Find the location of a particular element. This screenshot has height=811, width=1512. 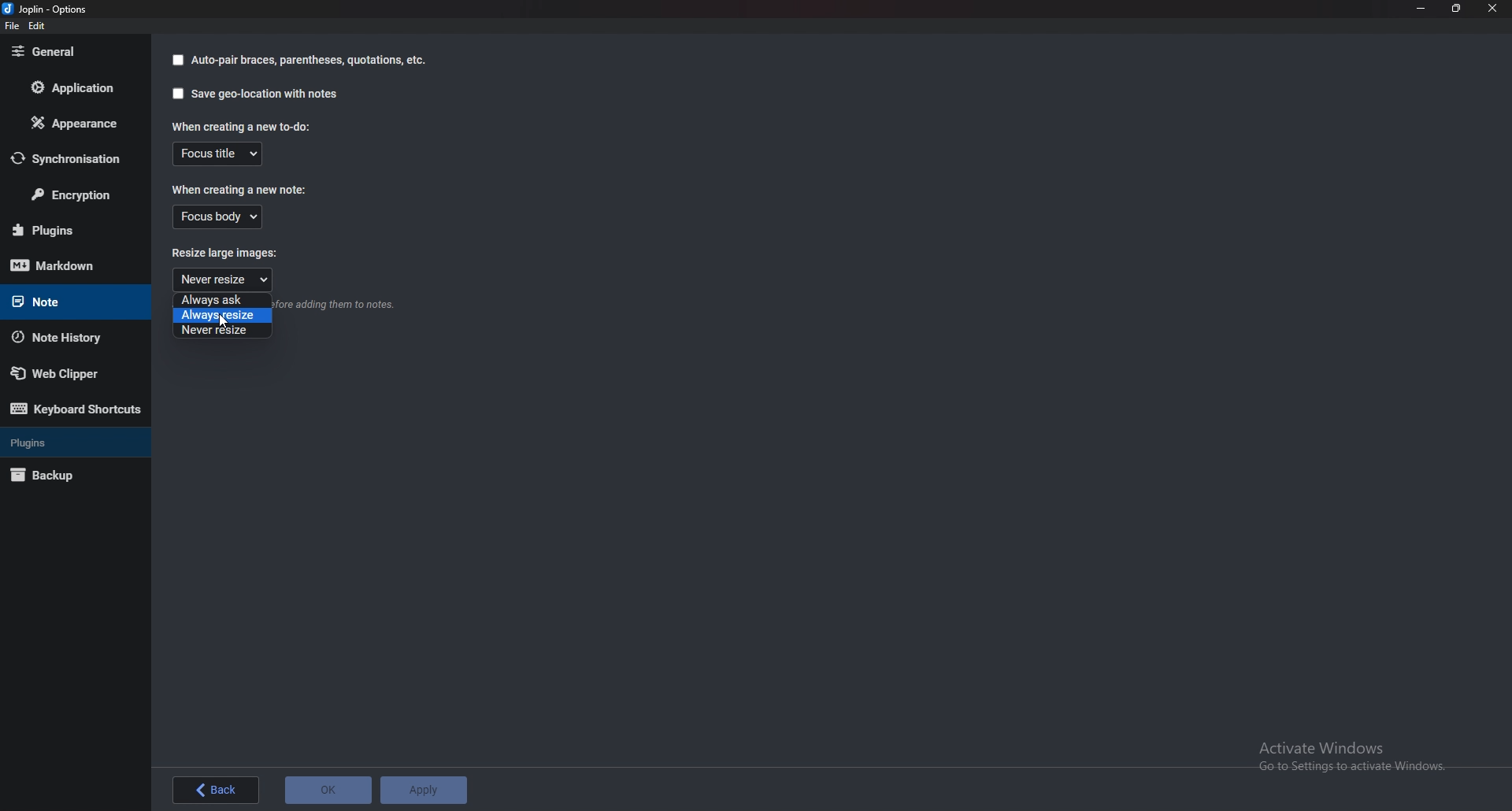

Always ask is located at coordinates (219, 300).